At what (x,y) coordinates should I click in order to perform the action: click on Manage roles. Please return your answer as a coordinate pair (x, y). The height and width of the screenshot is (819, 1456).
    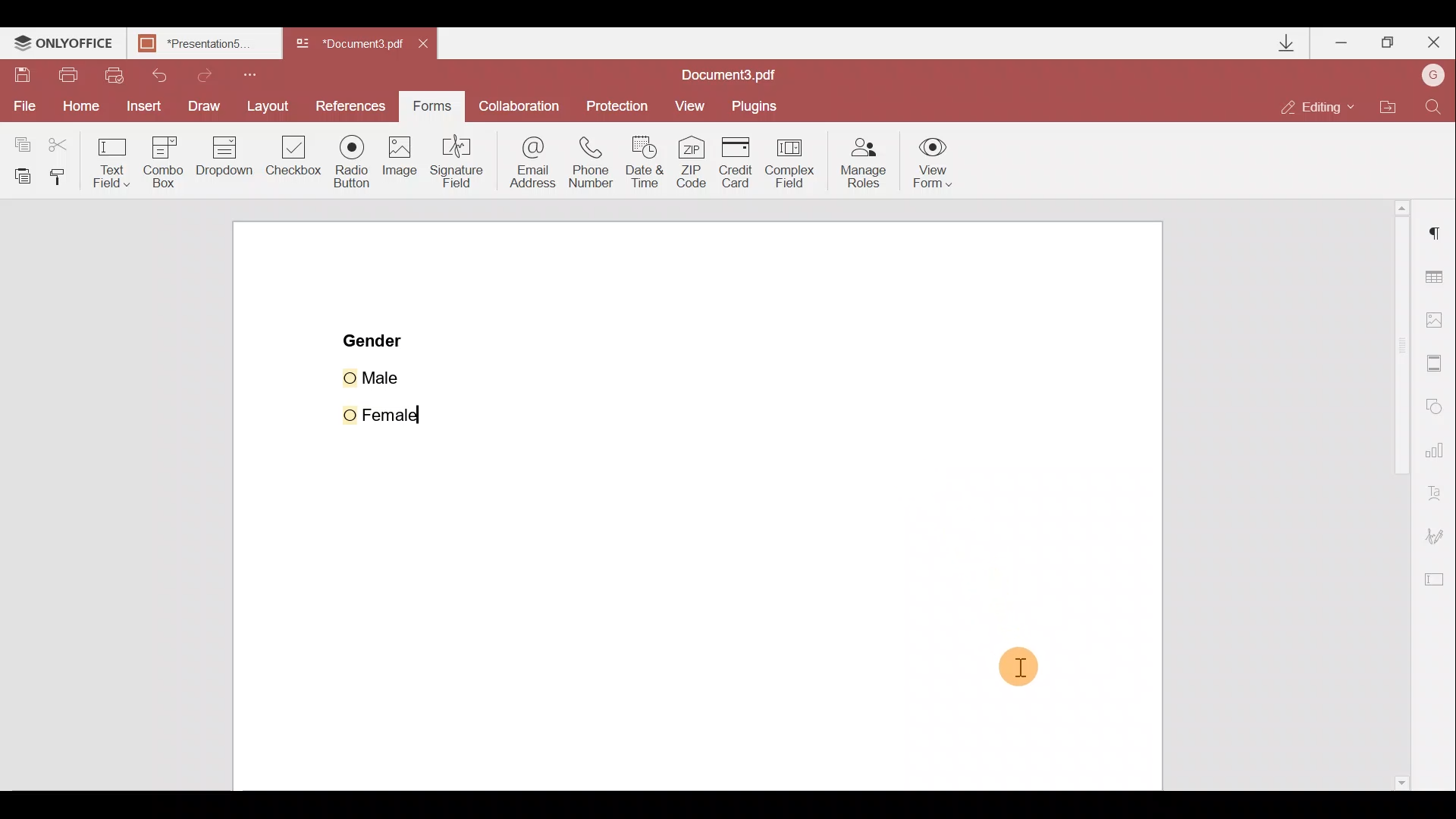
    Looking at the image, I should click on (859, 162).